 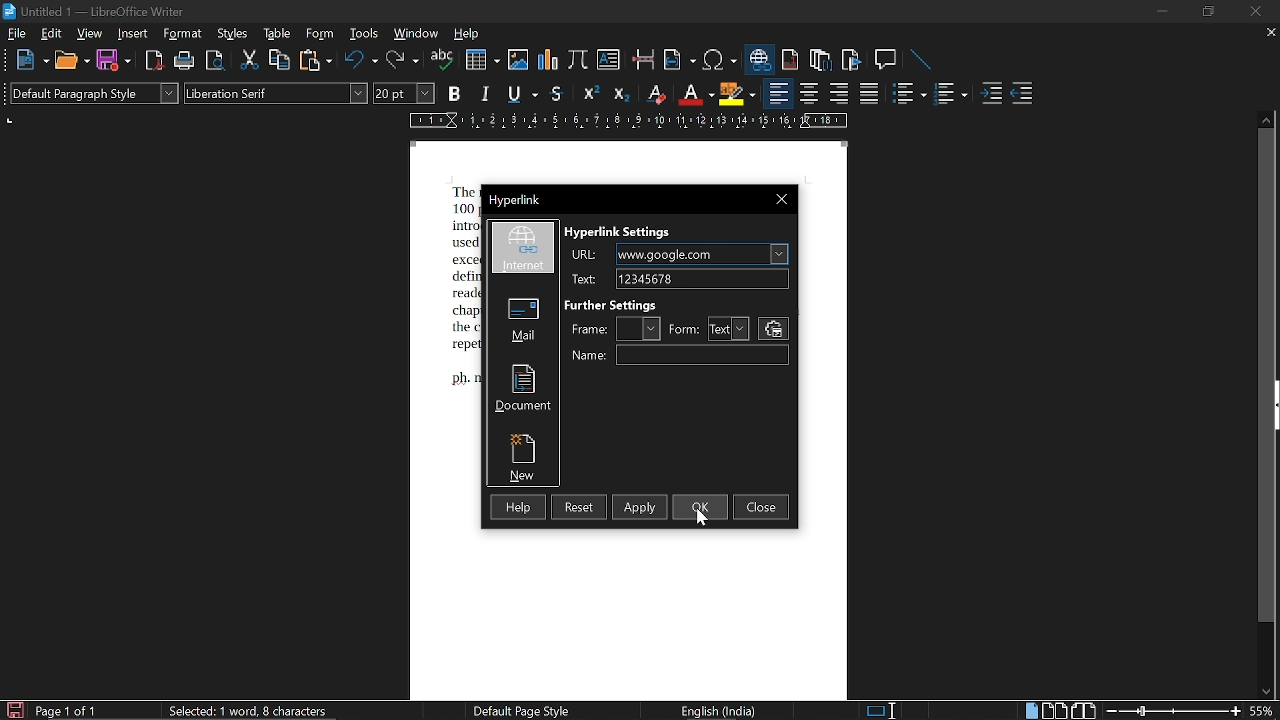 What do you see at coordinates (777, 95) in the screenshot?
I see `align left` at bounding box center [777, 95].